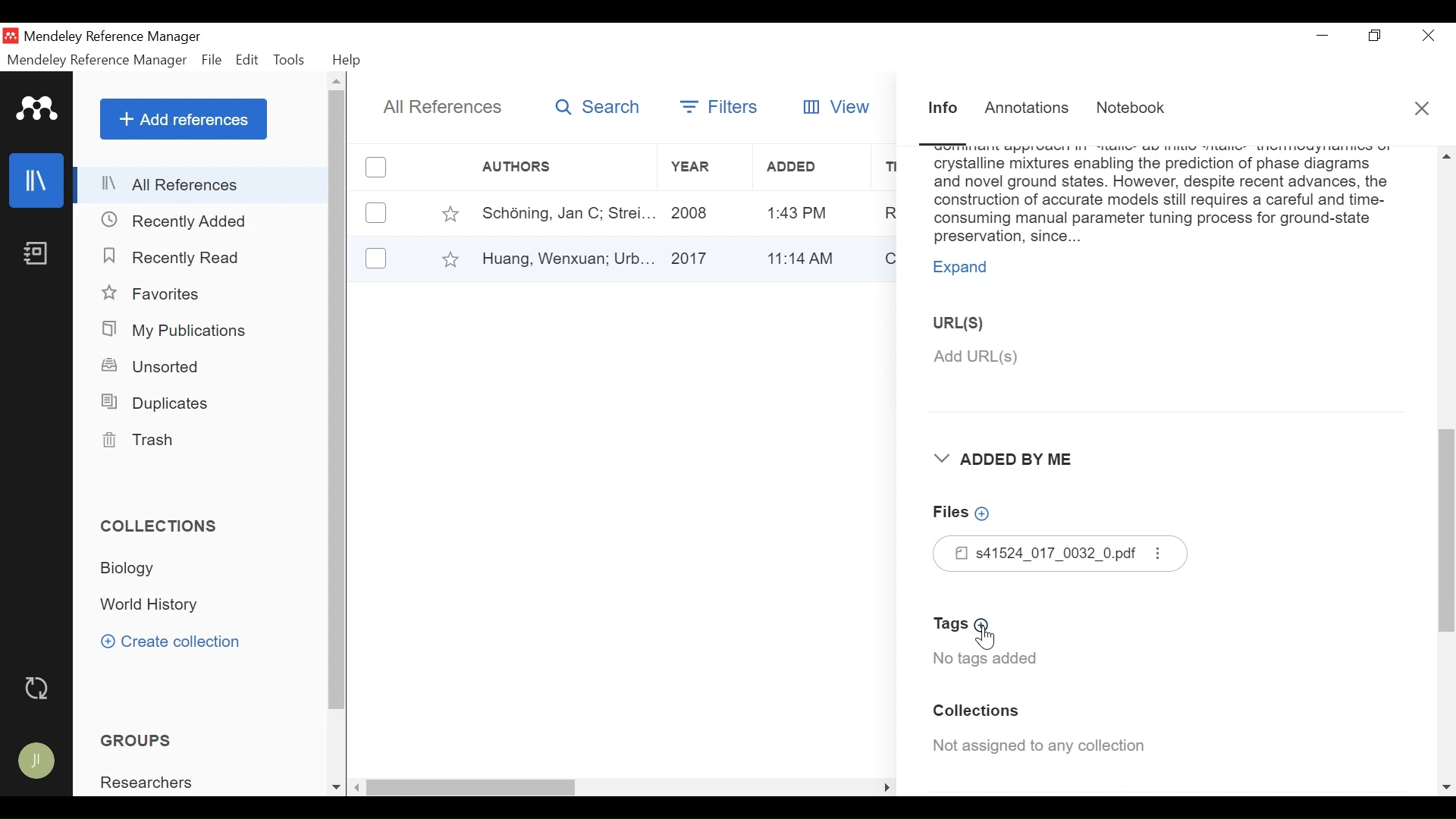 Image resolution: width=1456 pixels, height=819 pixels. Describe the element at coordinates (376, 213) in the screenshot. I see `(un)select` at that location.